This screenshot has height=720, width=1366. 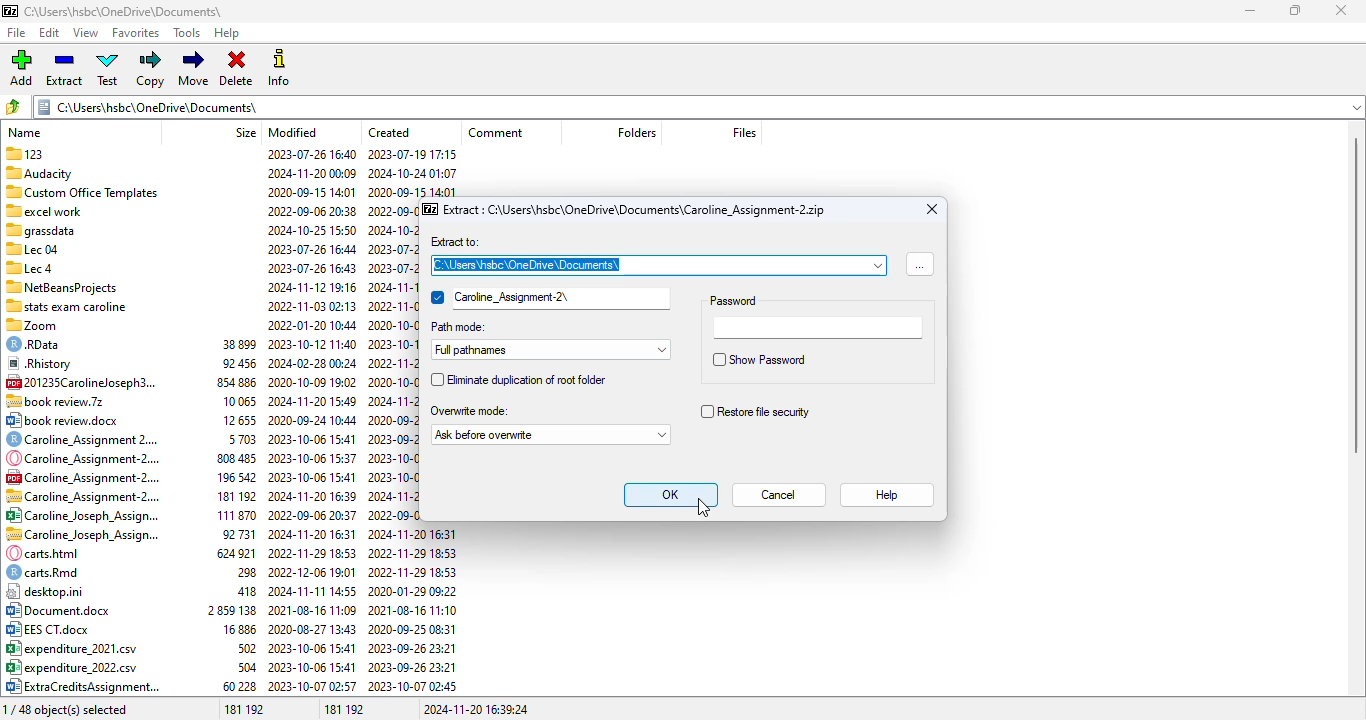 What do you see at coordinates (123, 11) in the screenshot?
I see `folder name` at bounding box center [123, 11].